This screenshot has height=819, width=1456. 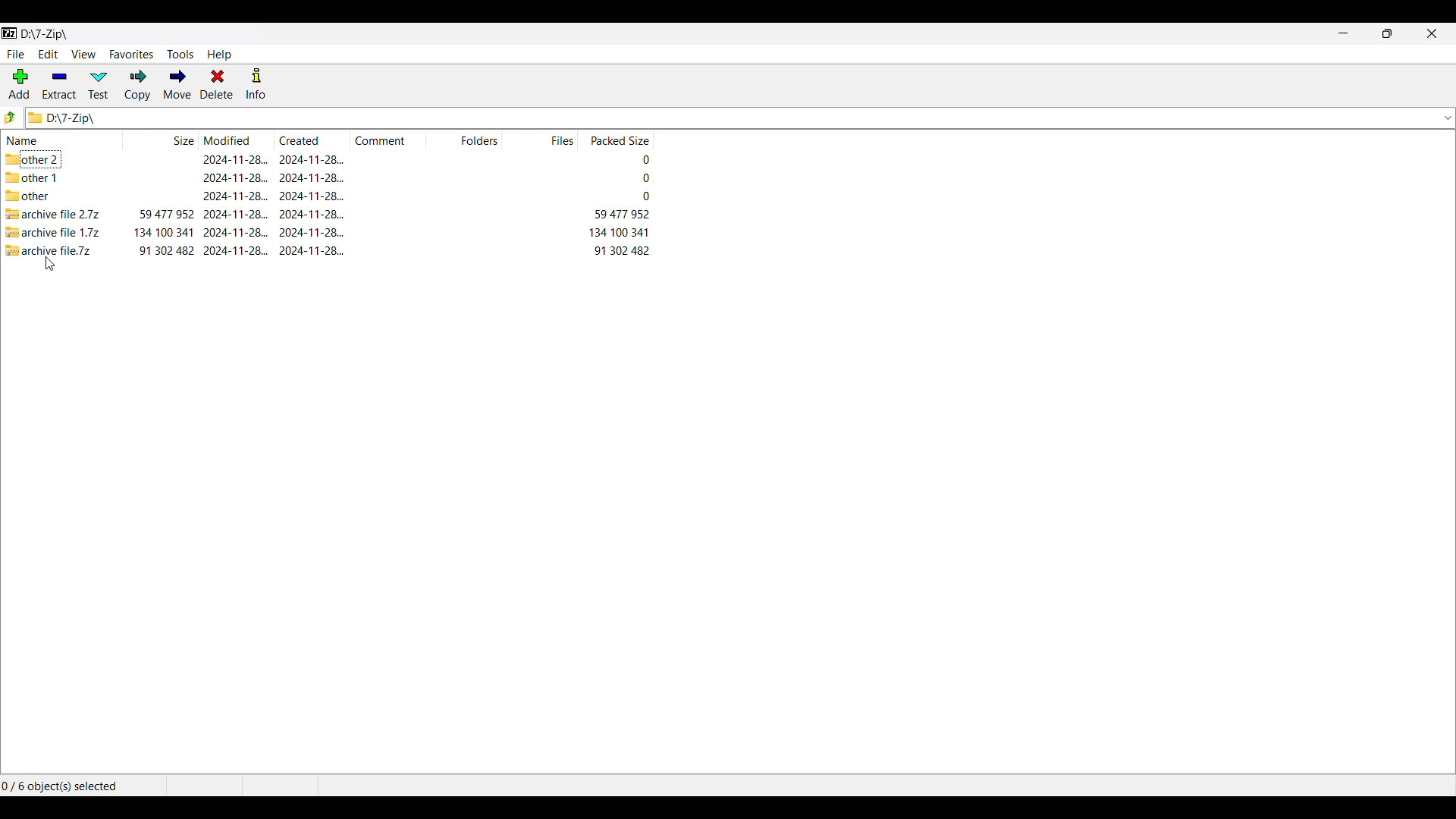 What do you see at coordinates (236, 214) in the screenshot?
I see `modified date & time` at bounding box center [236, 214].